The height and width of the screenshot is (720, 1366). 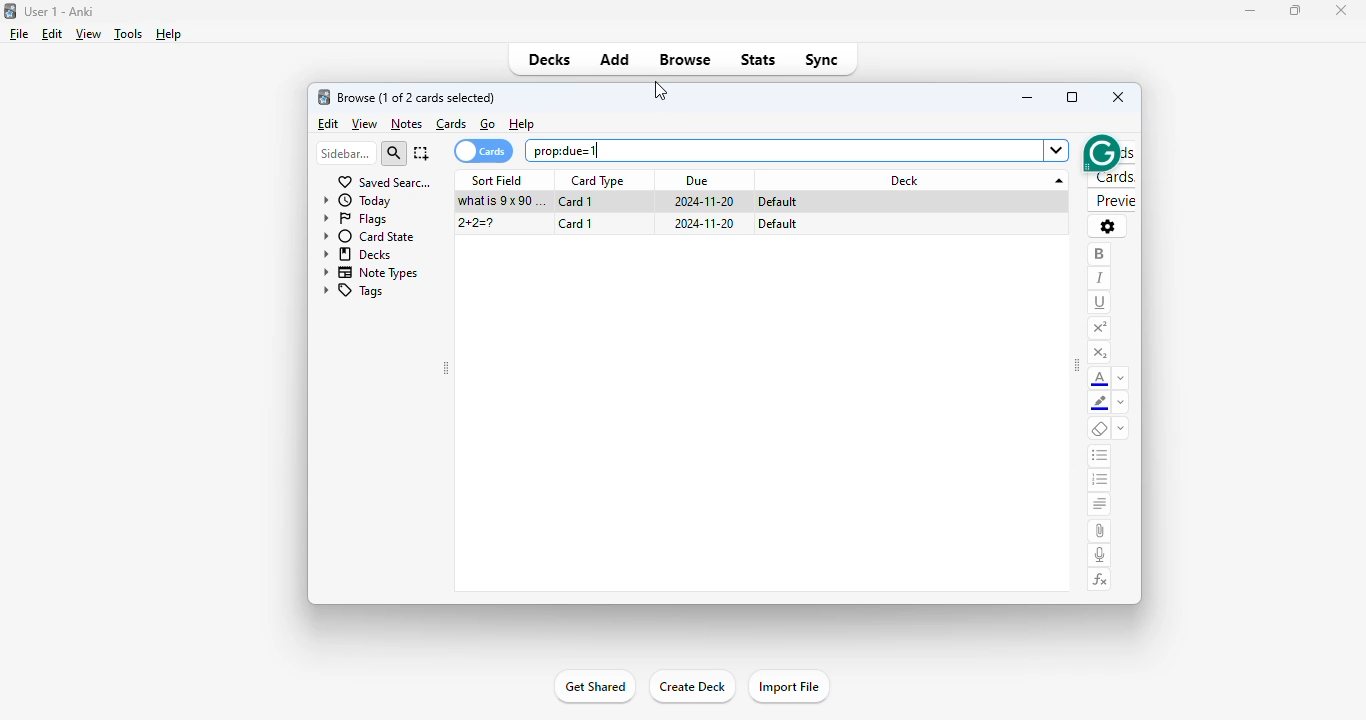 What do you see at coordinates (356, 219) in the screenshot?
I see `flags` at bounding box center [356, 219].